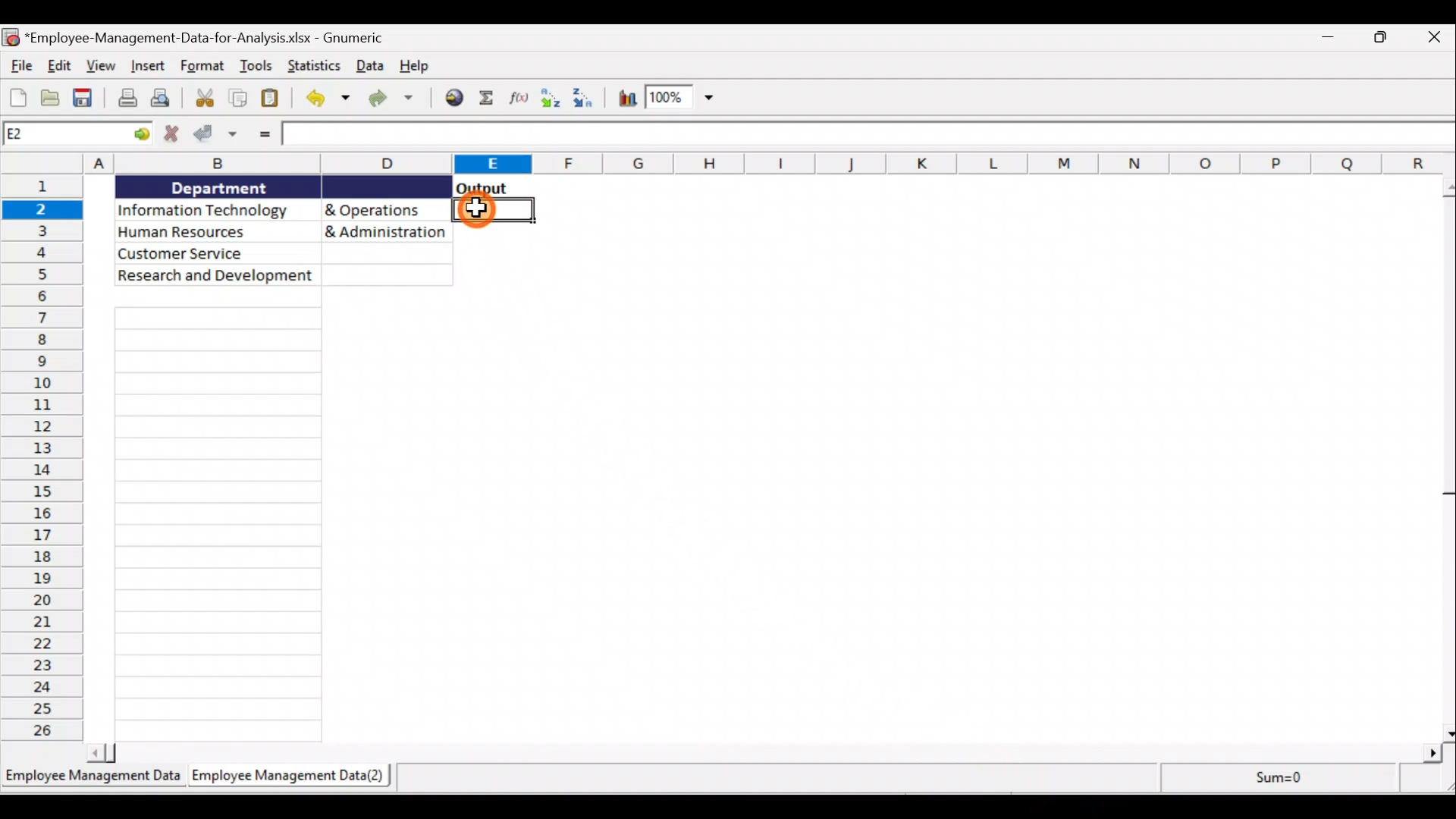  Describe the element at coordinates (266, 133) in the screenshot. I see `Enter formula` at that location.